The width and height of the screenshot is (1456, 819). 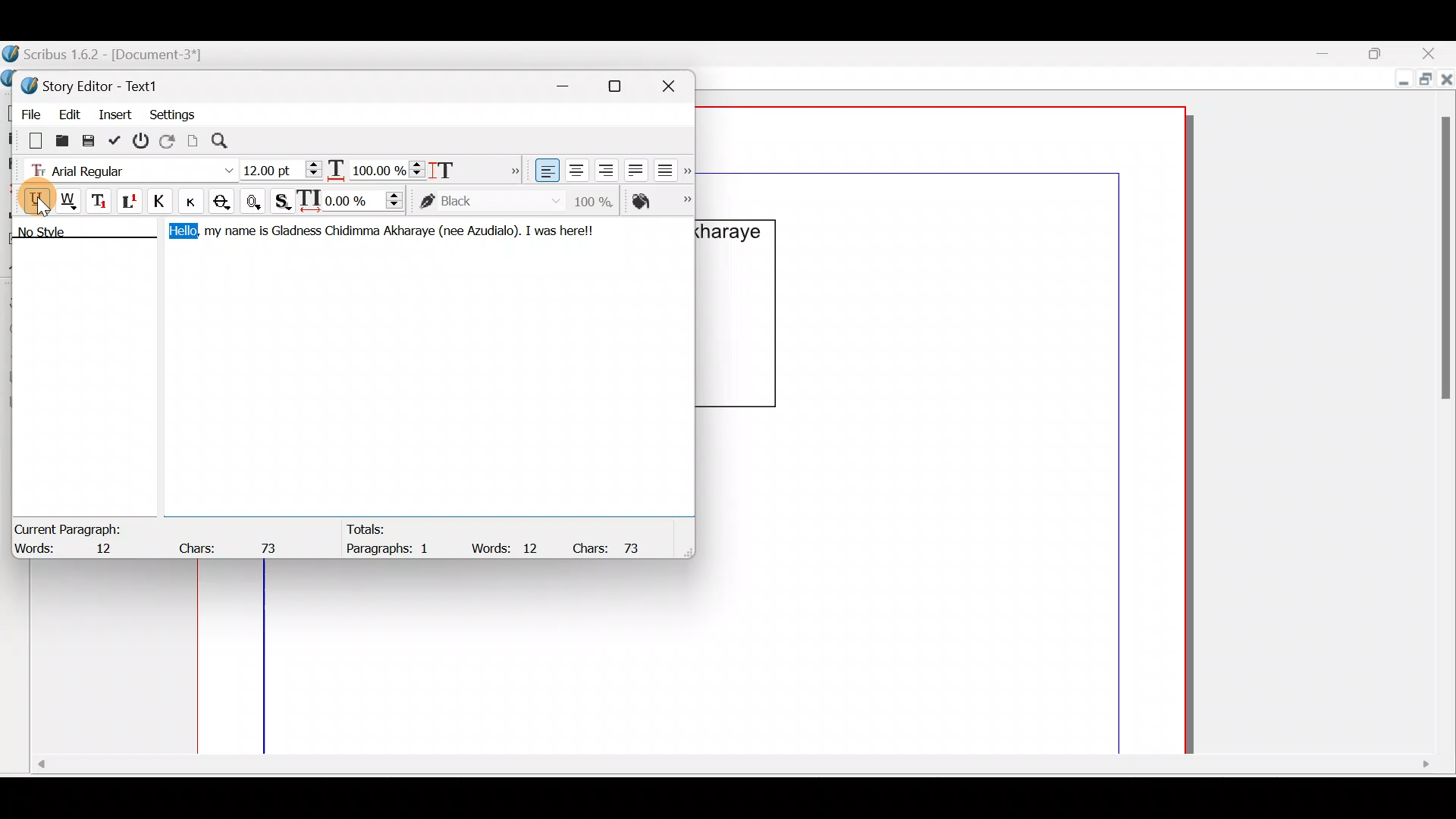 I want to click on Scaling height of characters, so click(x=464, y=165).